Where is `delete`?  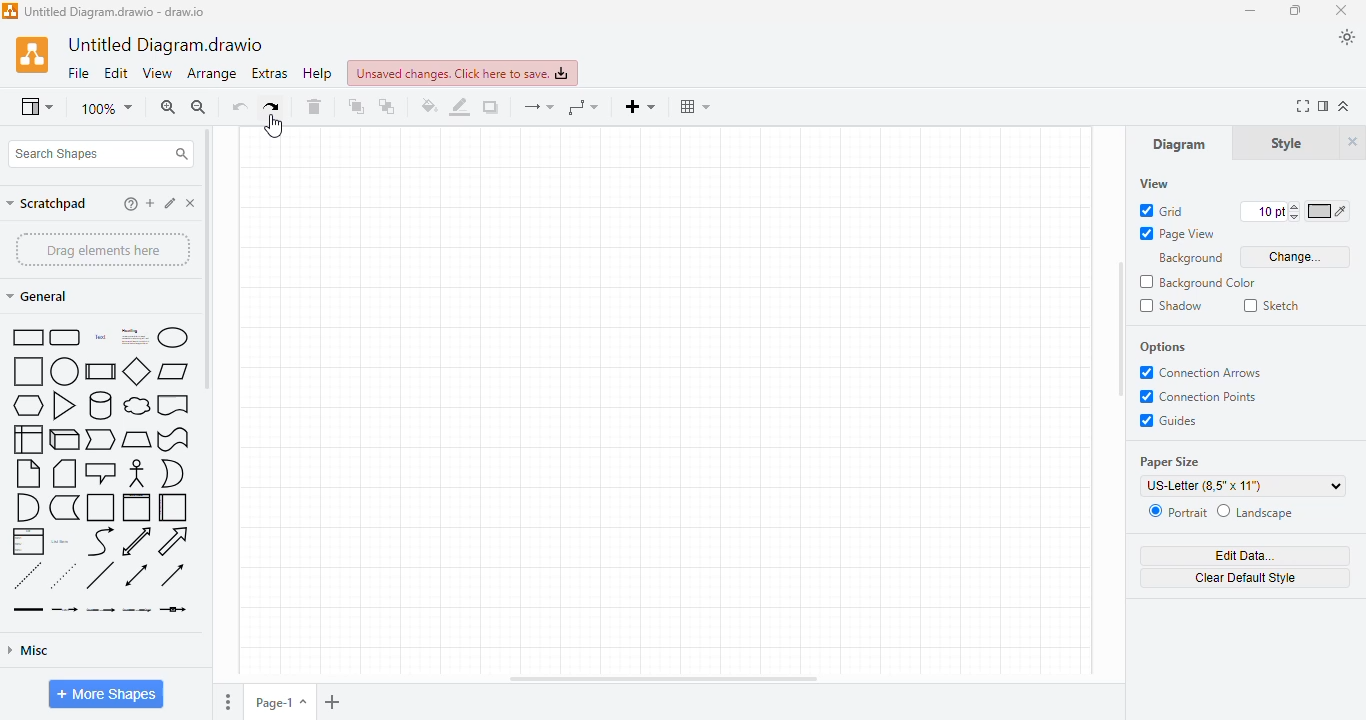 delete is located at coordinates (313, 107).